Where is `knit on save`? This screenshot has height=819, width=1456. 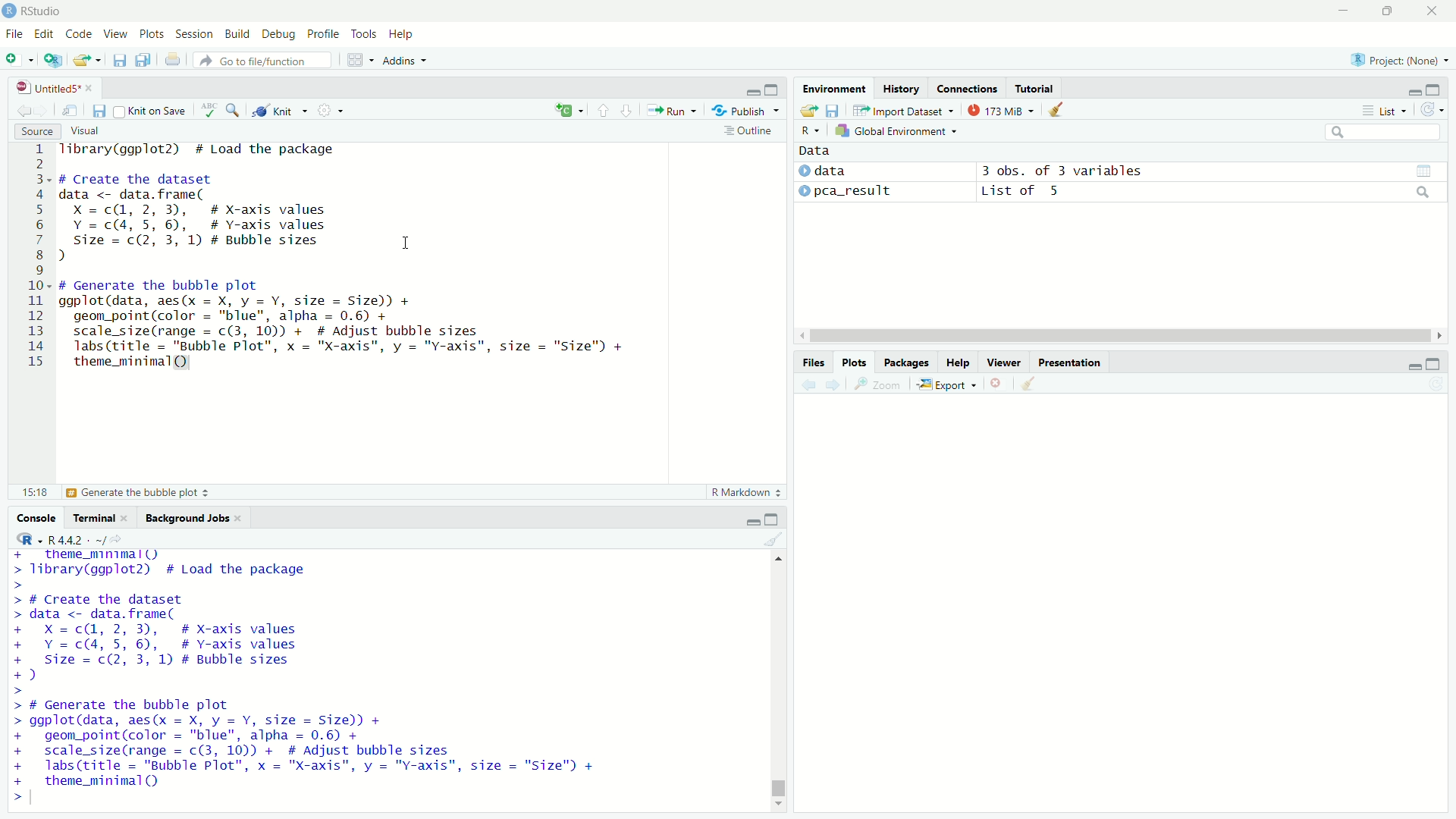 knit on save is located at coordinates (152, 110).